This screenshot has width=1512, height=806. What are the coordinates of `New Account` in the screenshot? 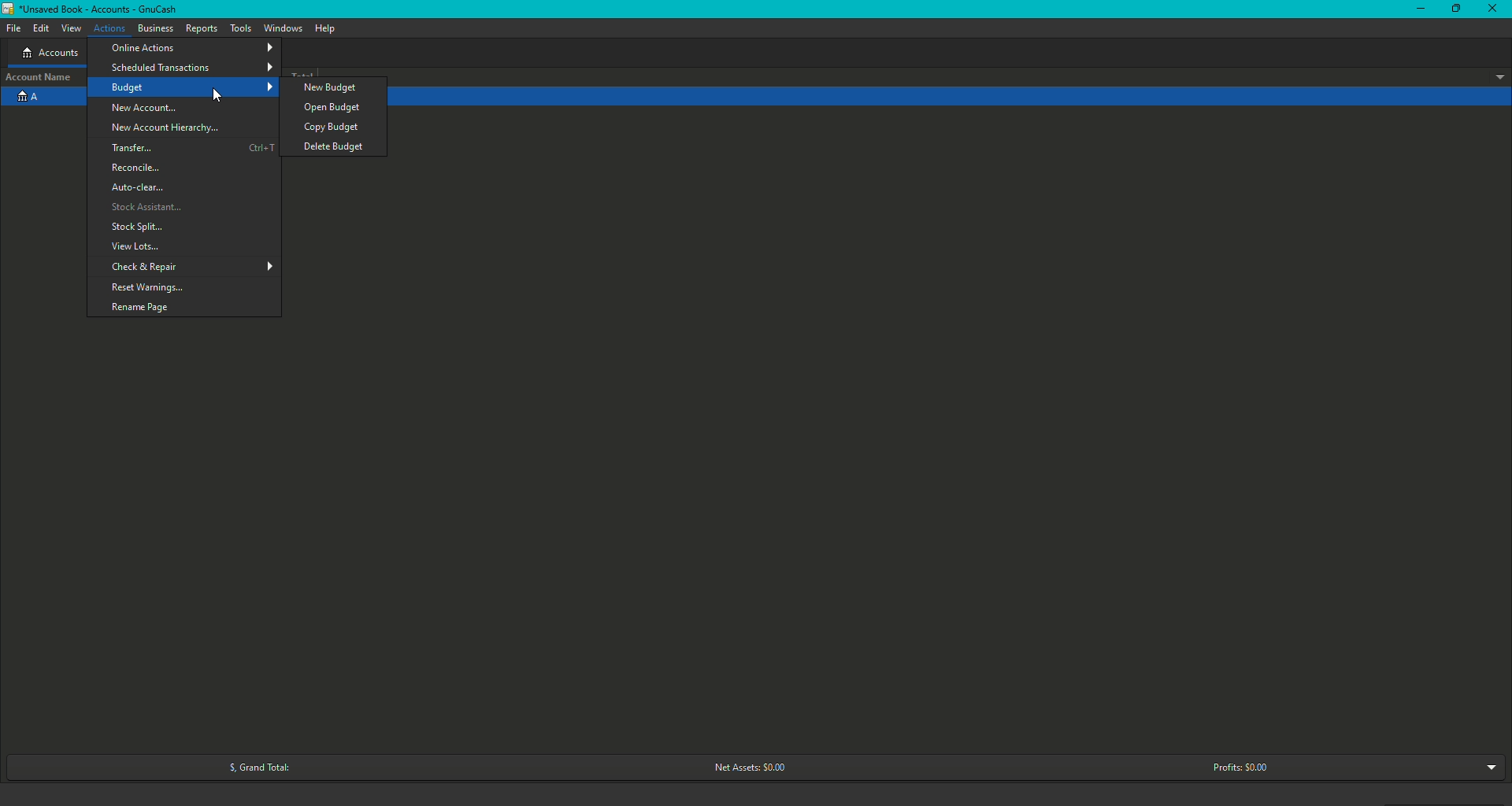 It's located at (148, 108).